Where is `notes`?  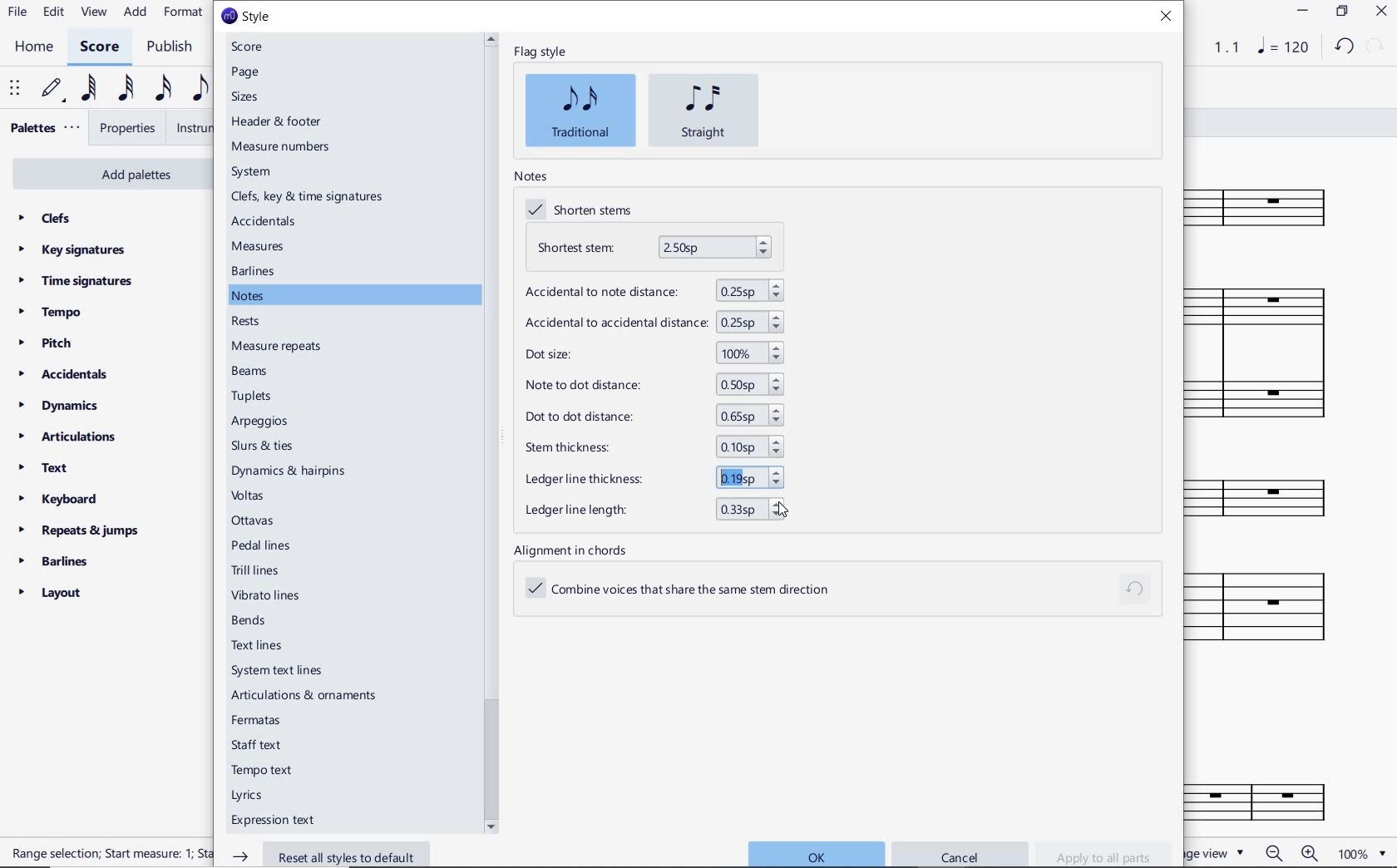 notes is located at coordinates (530, 176).